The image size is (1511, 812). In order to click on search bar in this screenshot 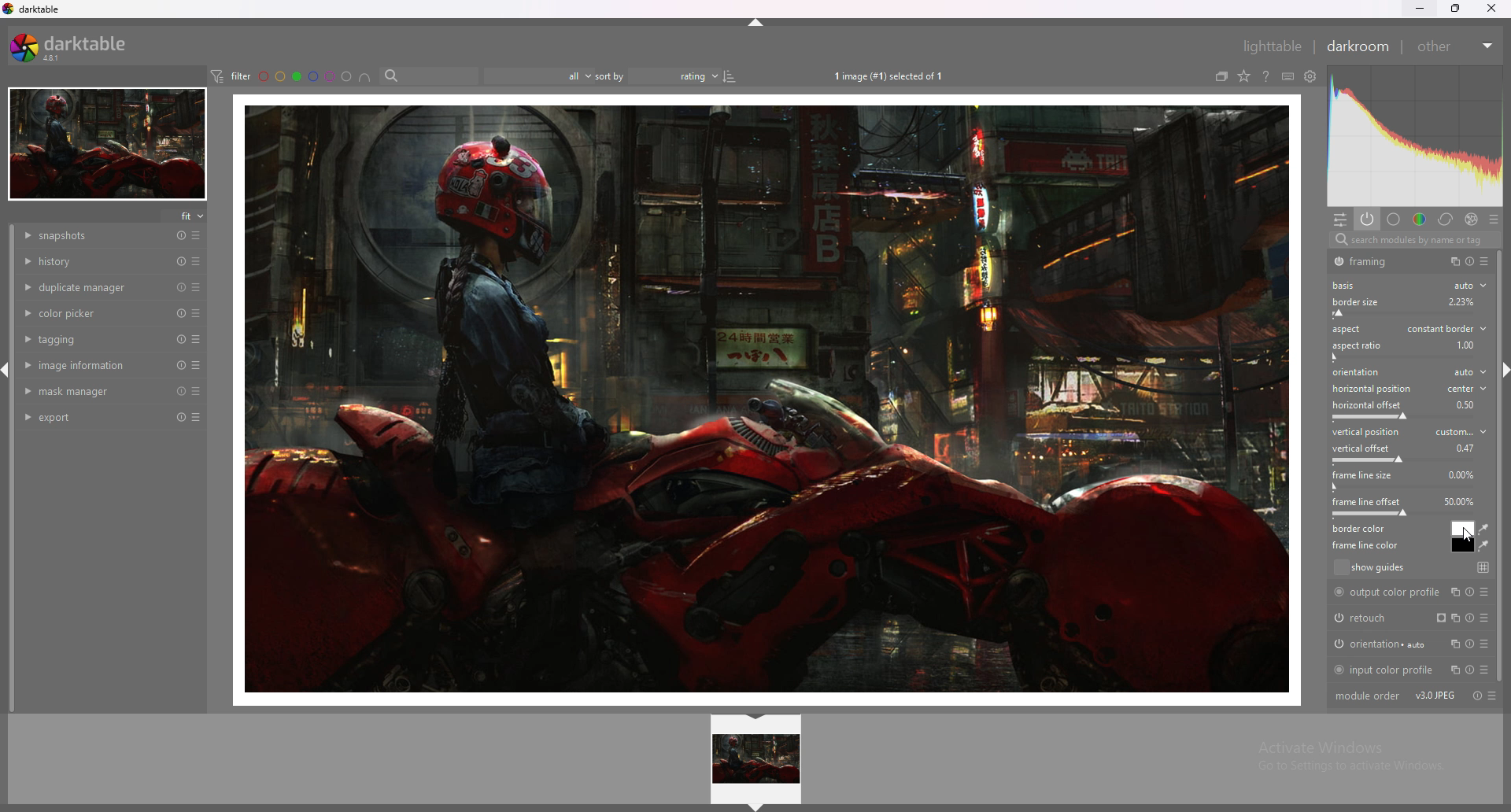, I will do `click(427, 75)`.